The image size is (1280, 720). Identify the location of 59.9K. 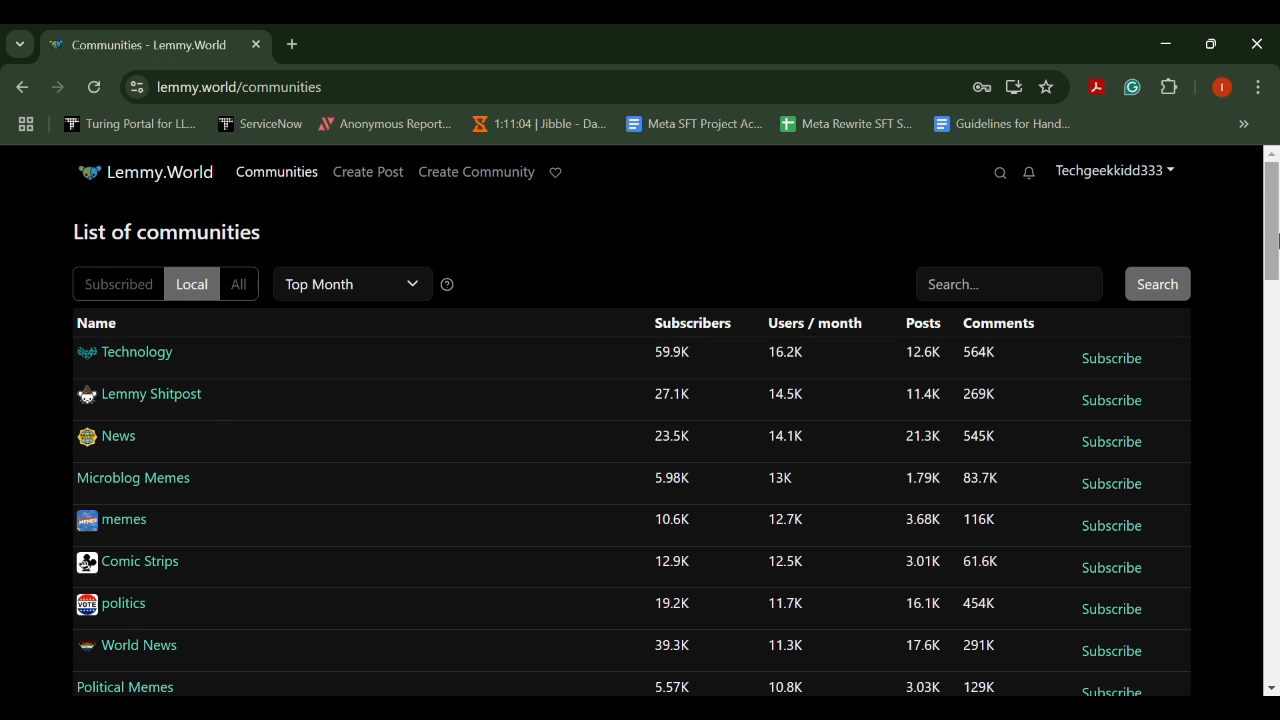
(674, 353).